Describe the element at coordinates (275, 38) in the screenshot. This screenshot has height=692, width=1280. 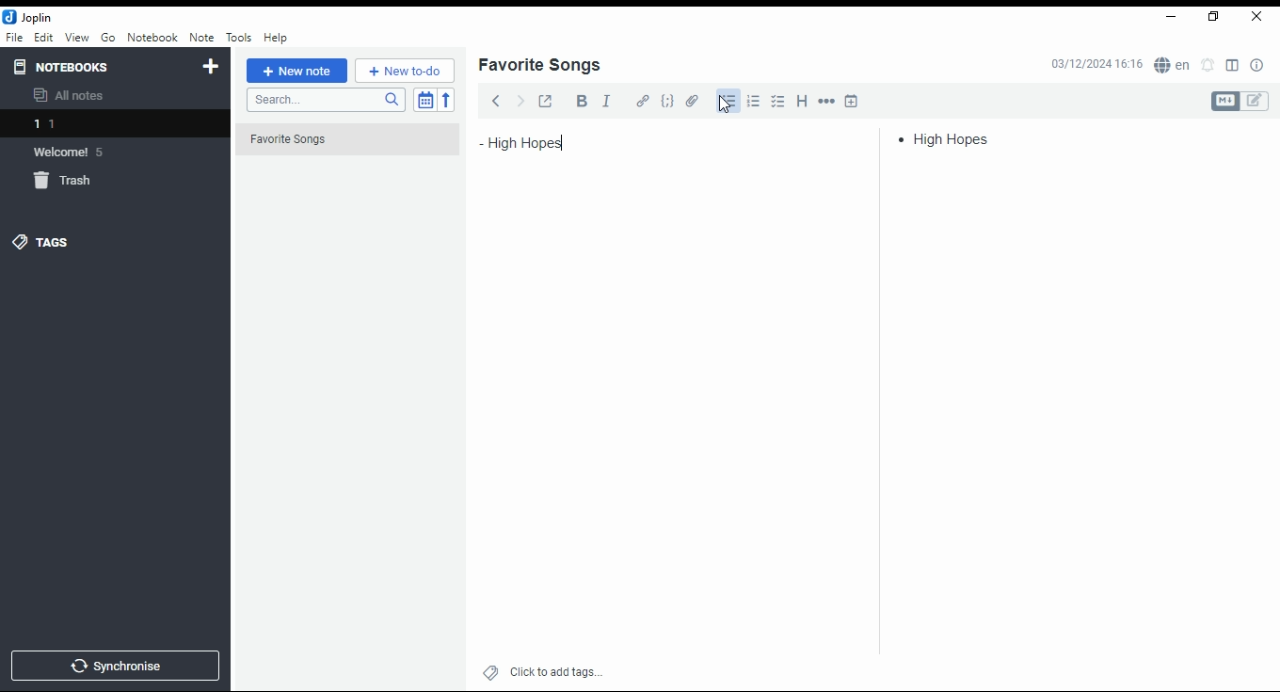
I see `help` at that location.